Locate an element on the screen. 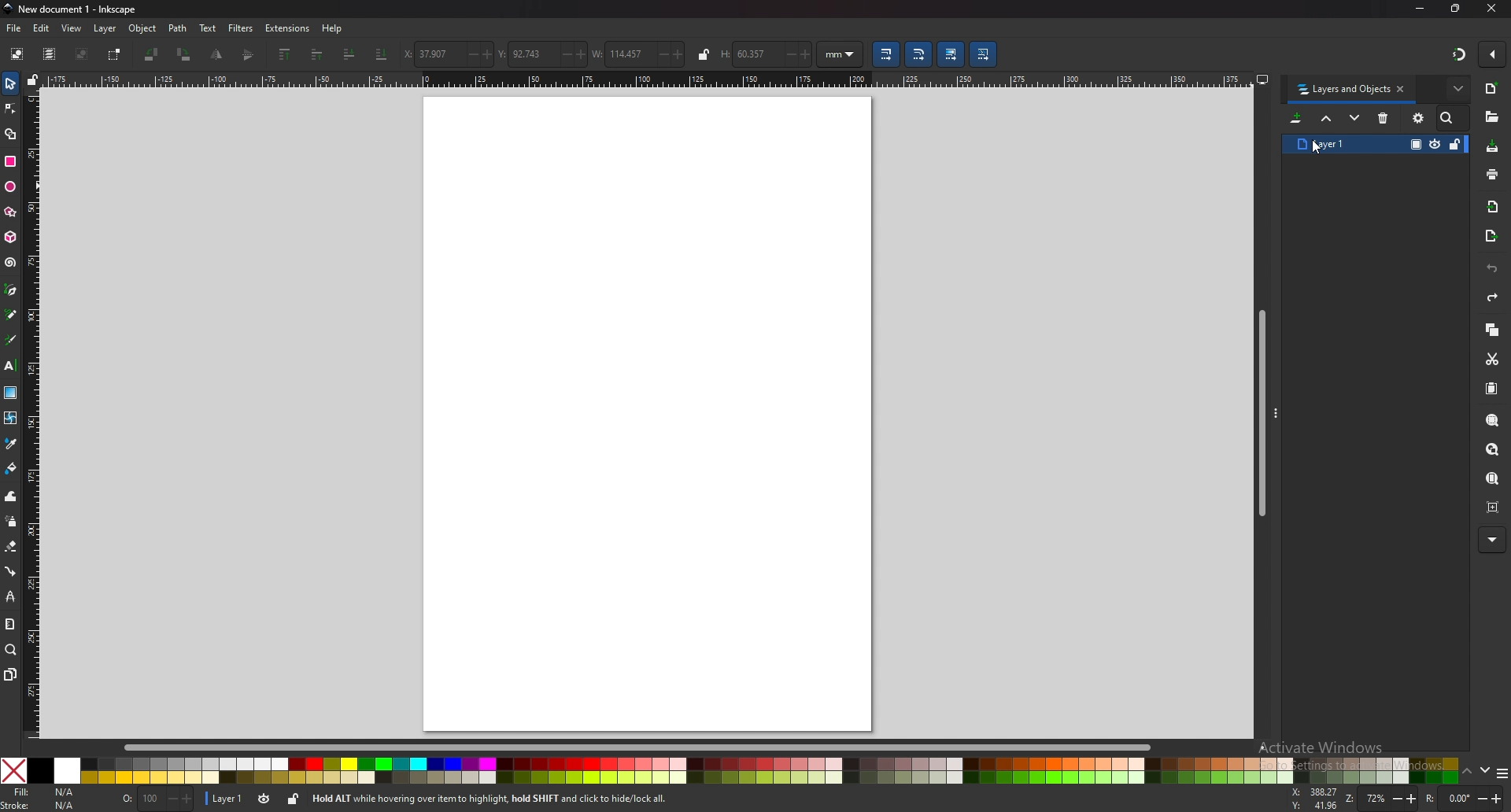  horizontal scale is located at coordinates (648, 79).